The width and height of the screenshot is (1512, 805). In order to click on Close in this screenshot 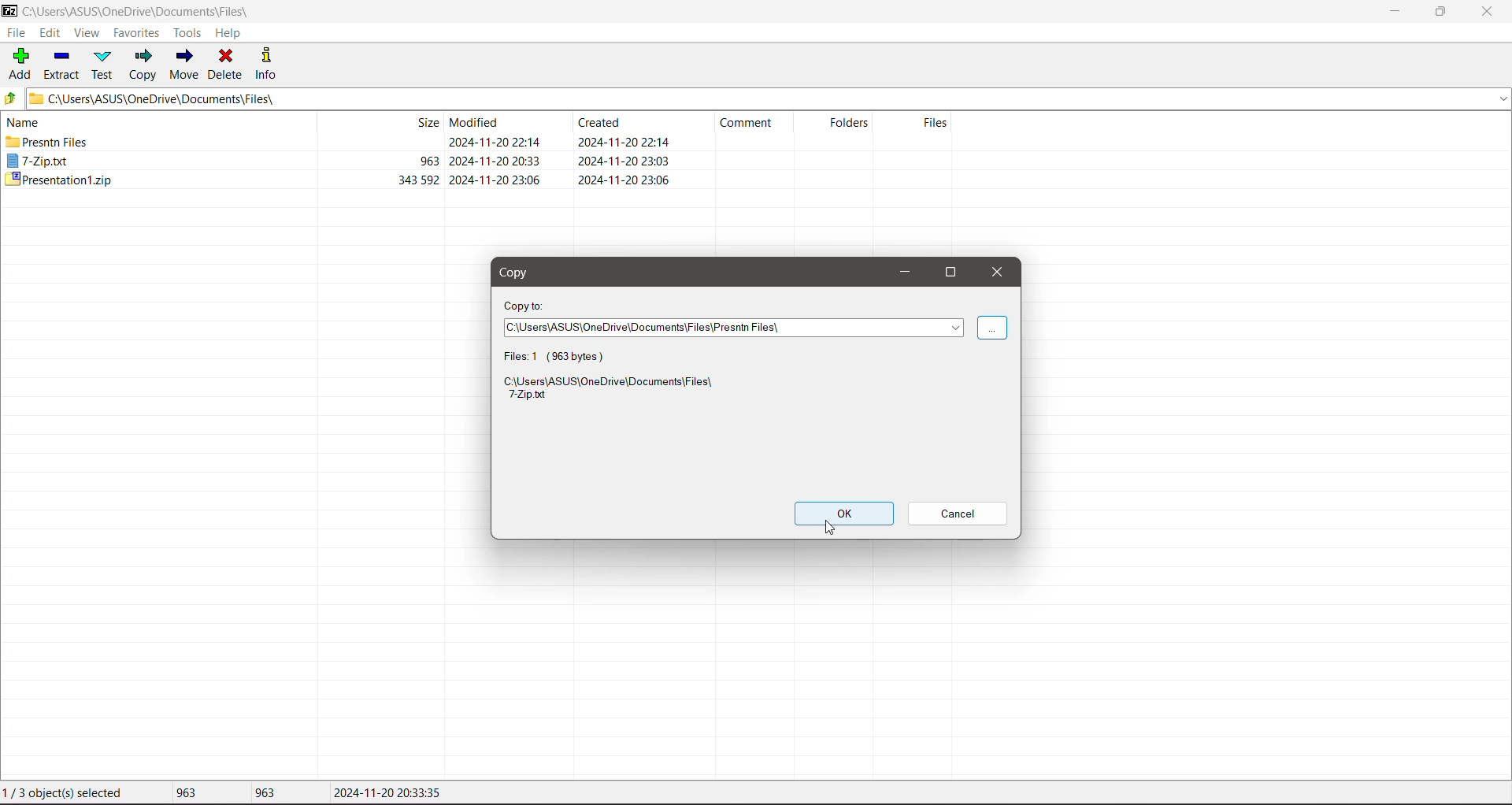, I will do `click(1488, 12)`.